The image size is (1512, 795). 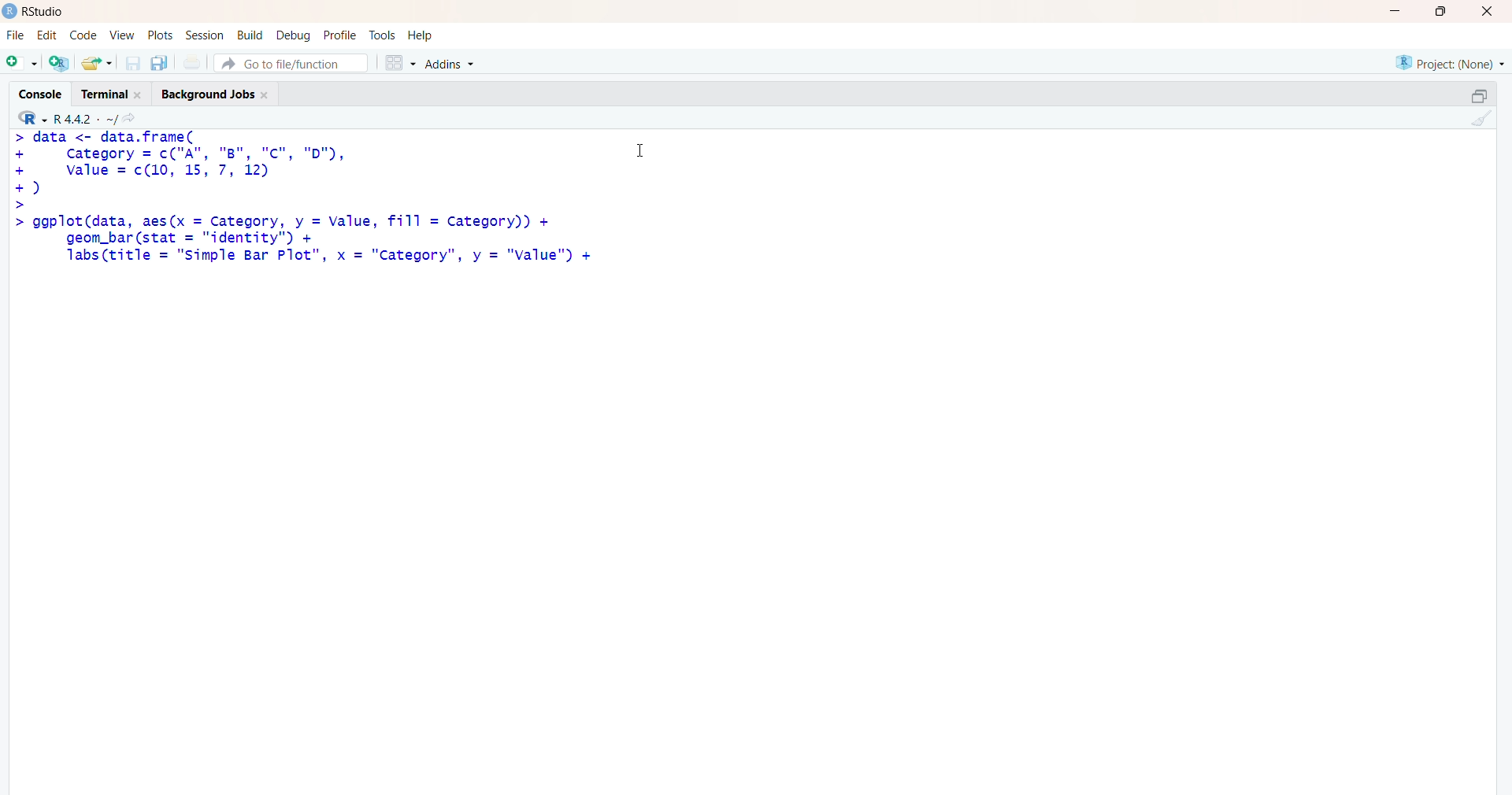 I want to click on Session, so click(x=205, y=35).